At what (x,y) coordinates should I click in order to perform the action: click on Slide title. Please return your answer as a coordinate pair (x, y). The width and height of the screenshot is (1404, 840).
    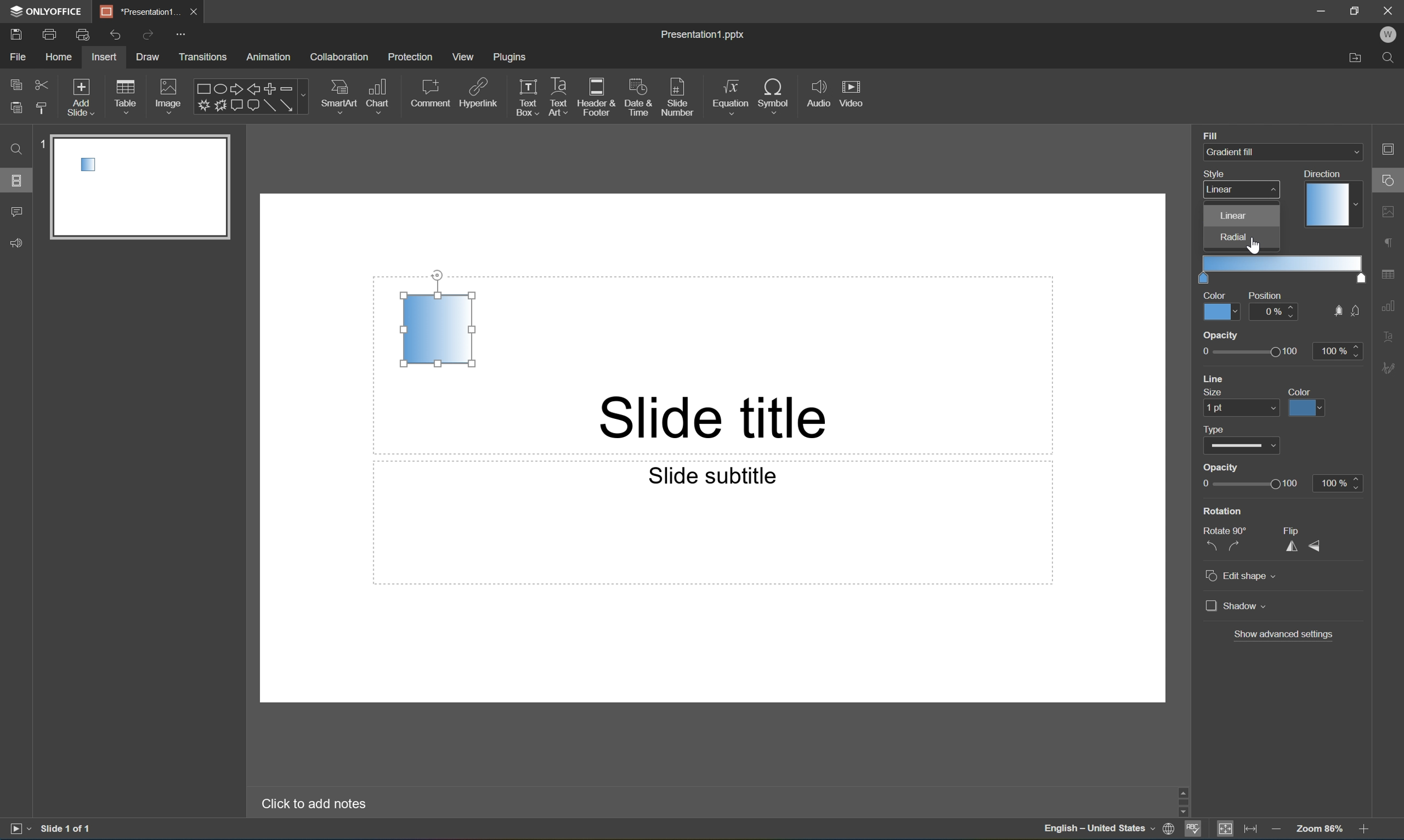
    Looking at the image, I should click on (733, 419).